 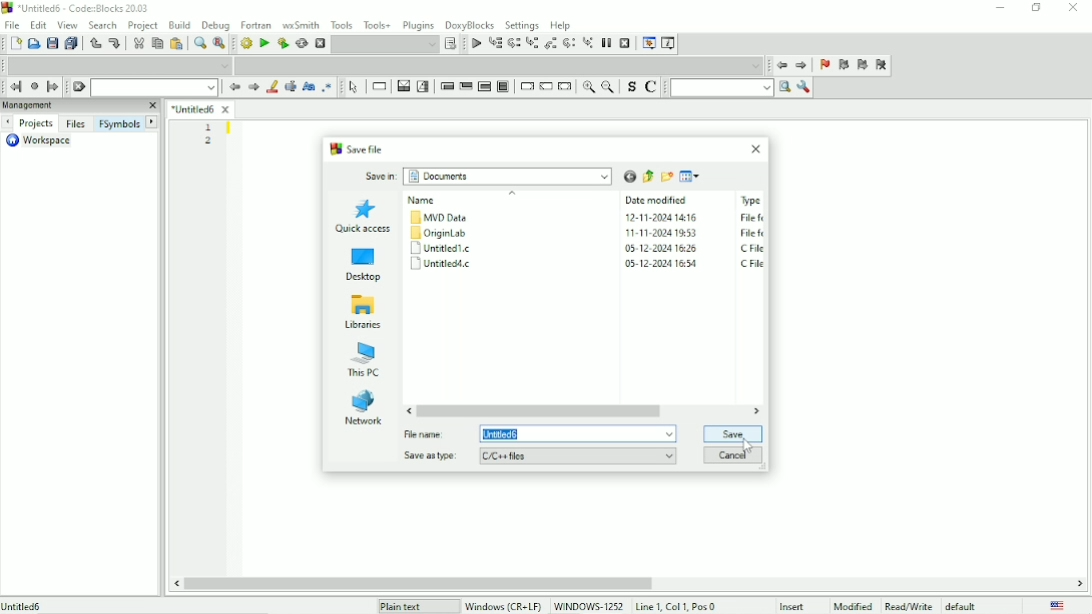 What do you see at coordinates (504, 86) in the screenshot?
I see `Block instruction` at bounding box center [504, 86].